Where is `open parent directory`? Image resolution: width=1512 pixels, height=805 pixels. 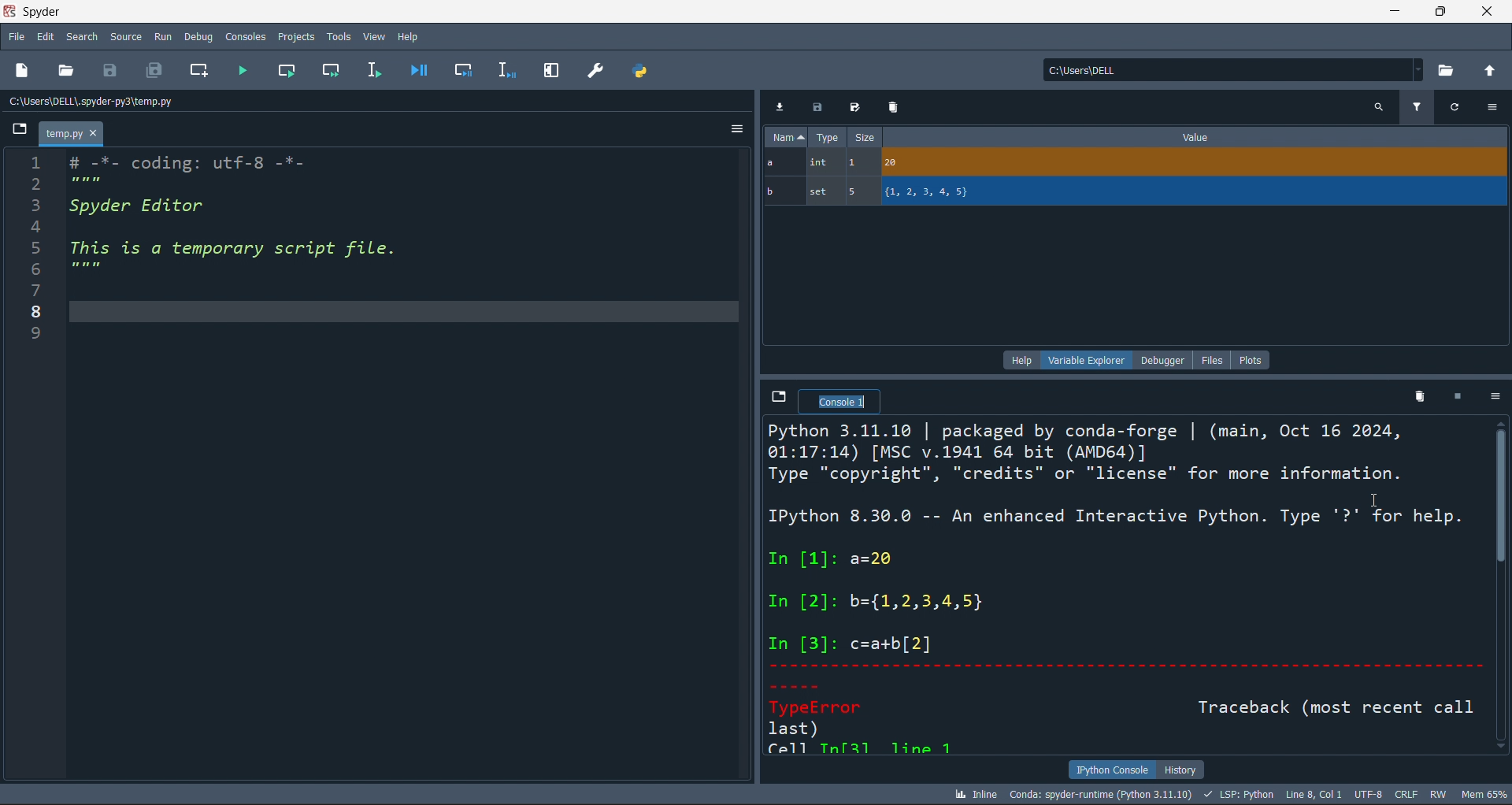
open parent directory is located at coordinates (1492, 69).